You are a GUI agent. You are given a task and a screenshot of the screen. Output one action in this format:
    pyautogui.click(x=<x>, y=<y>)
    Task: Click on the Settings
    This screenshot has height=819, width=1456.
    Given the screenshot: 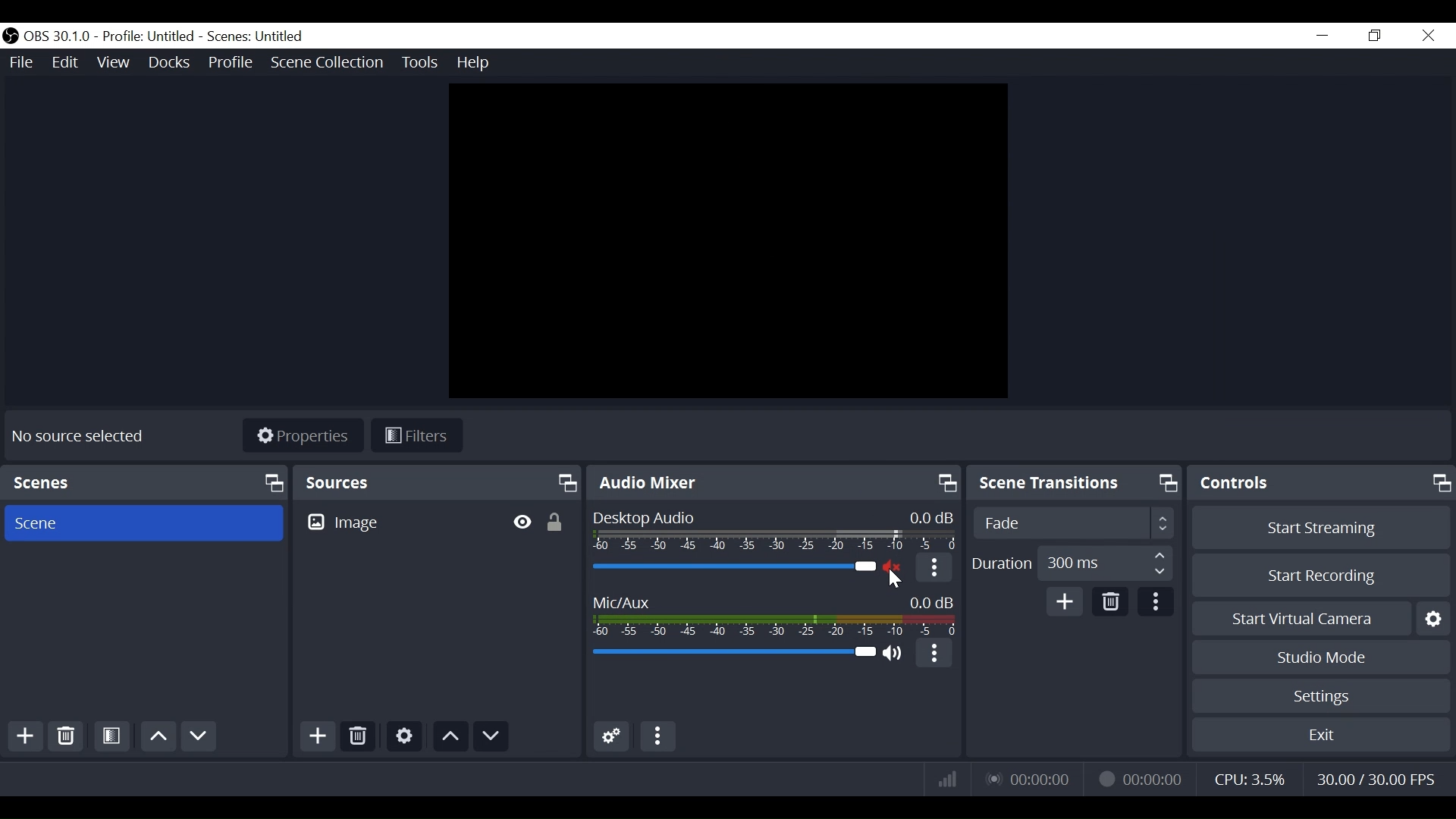 What is the action you would take?
    pyautogui.click(x=1431, y=619)
    